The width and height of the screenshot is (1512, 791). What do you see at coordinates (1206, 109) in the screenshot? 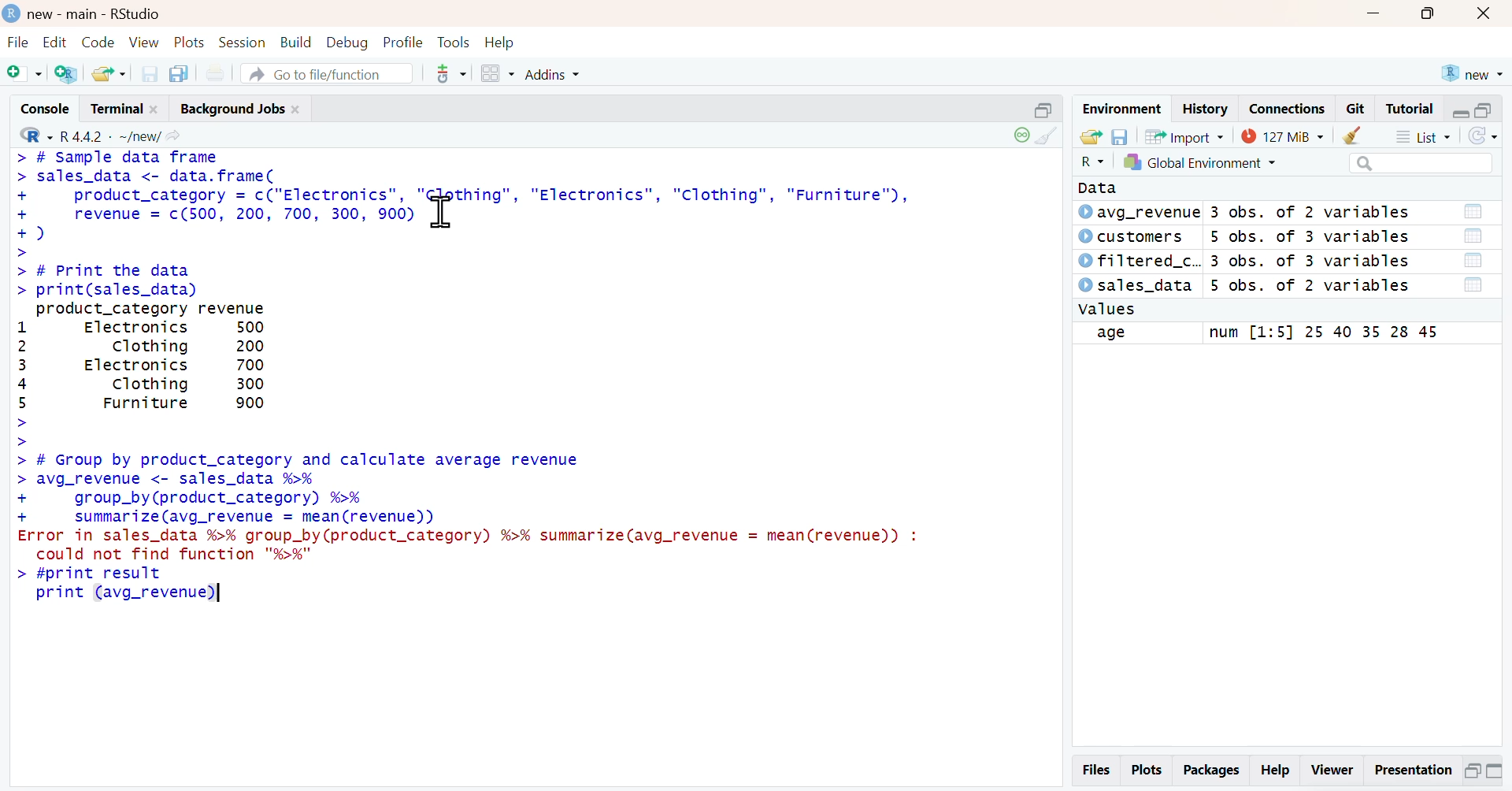
I see `History` at bounding box center [1206, 109].